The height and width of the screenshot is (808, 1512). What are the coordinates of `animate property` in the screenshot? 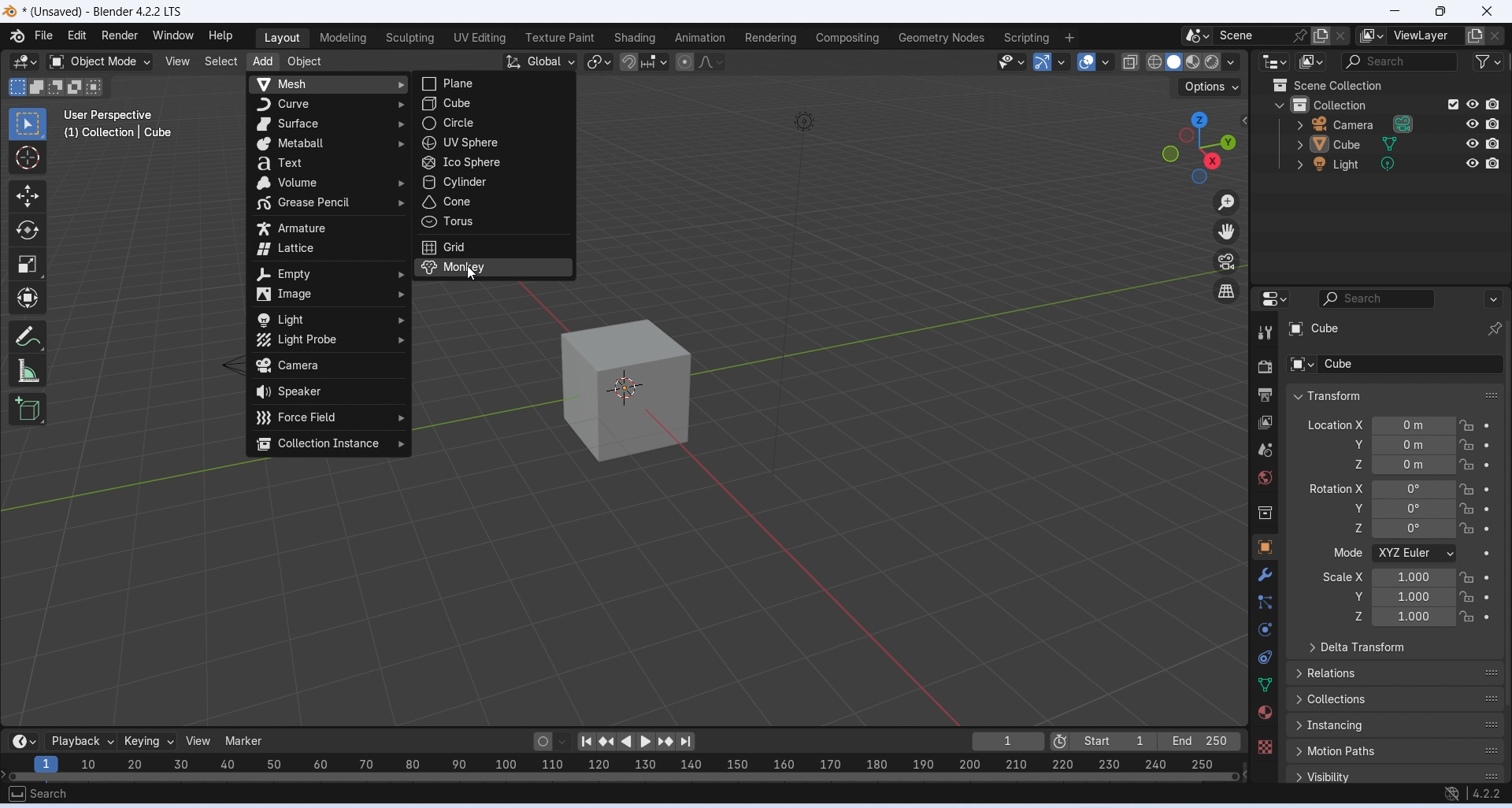 It's located at (1486, 554).